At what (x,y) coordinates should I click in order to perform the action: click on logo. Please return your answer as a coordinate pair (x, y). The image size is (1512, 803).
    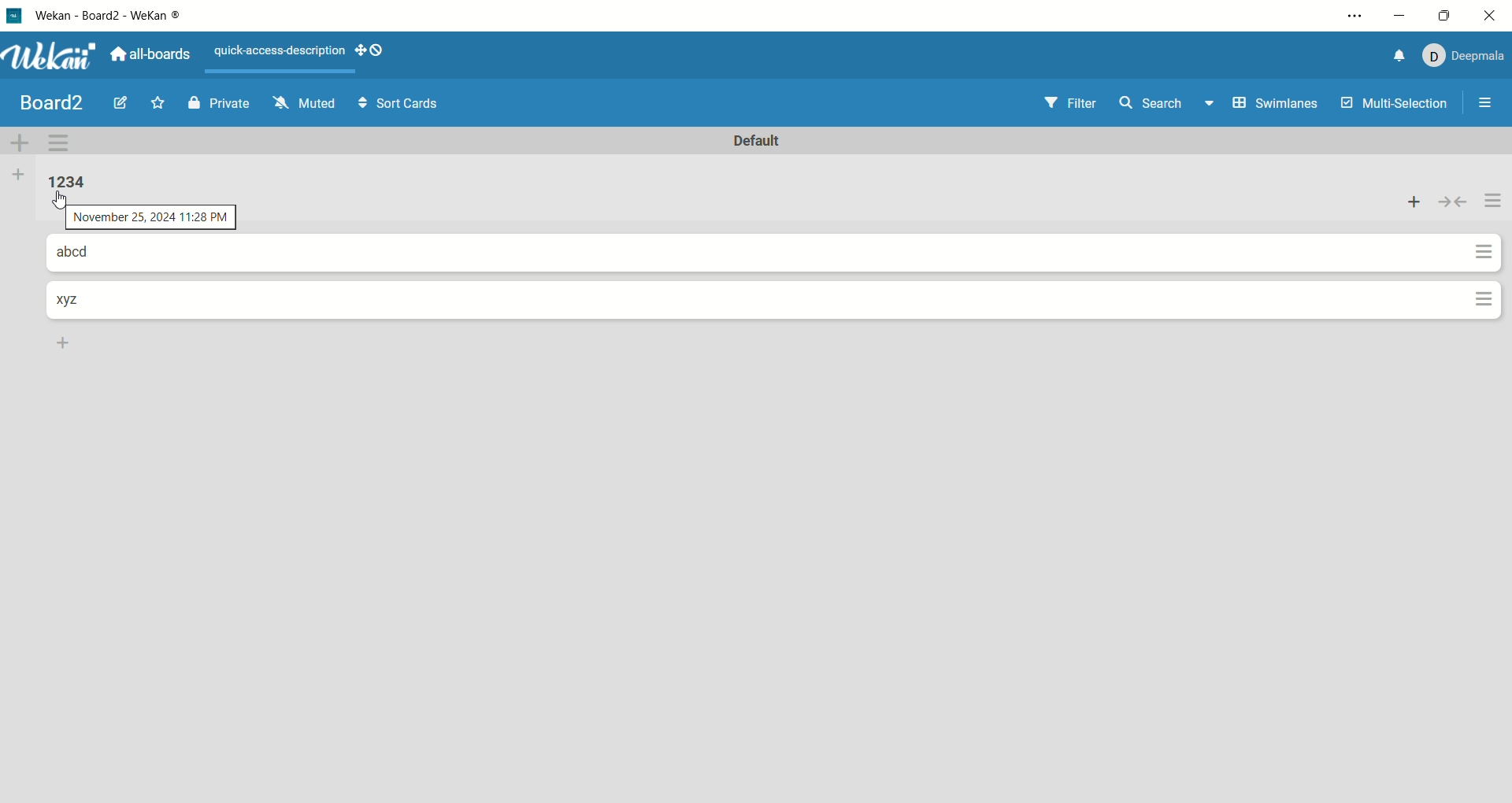
    Looking at the image, I should click on (13, 15).